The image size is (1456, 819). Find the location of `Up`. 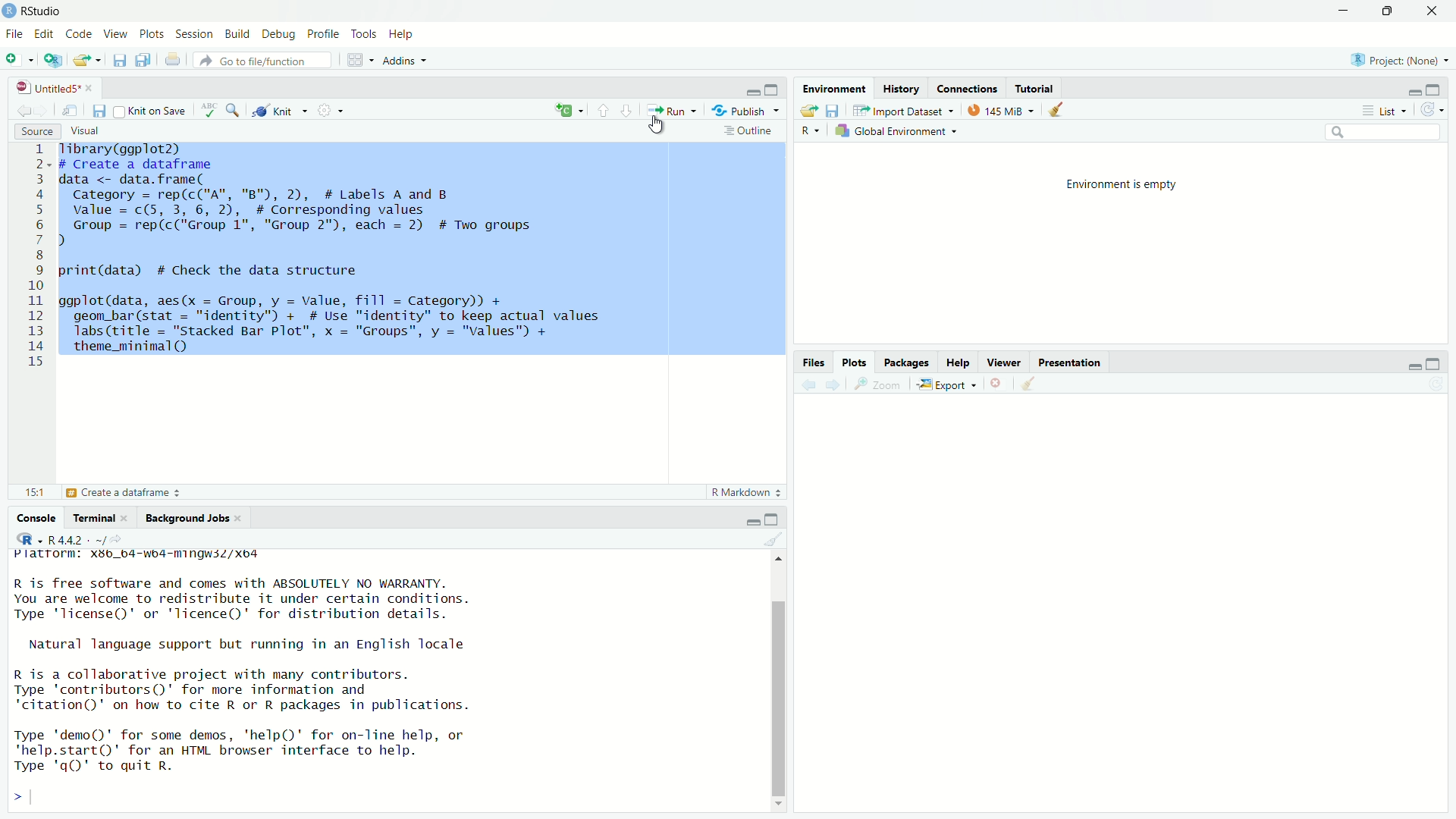

Up is located at coordinates (780, 557).